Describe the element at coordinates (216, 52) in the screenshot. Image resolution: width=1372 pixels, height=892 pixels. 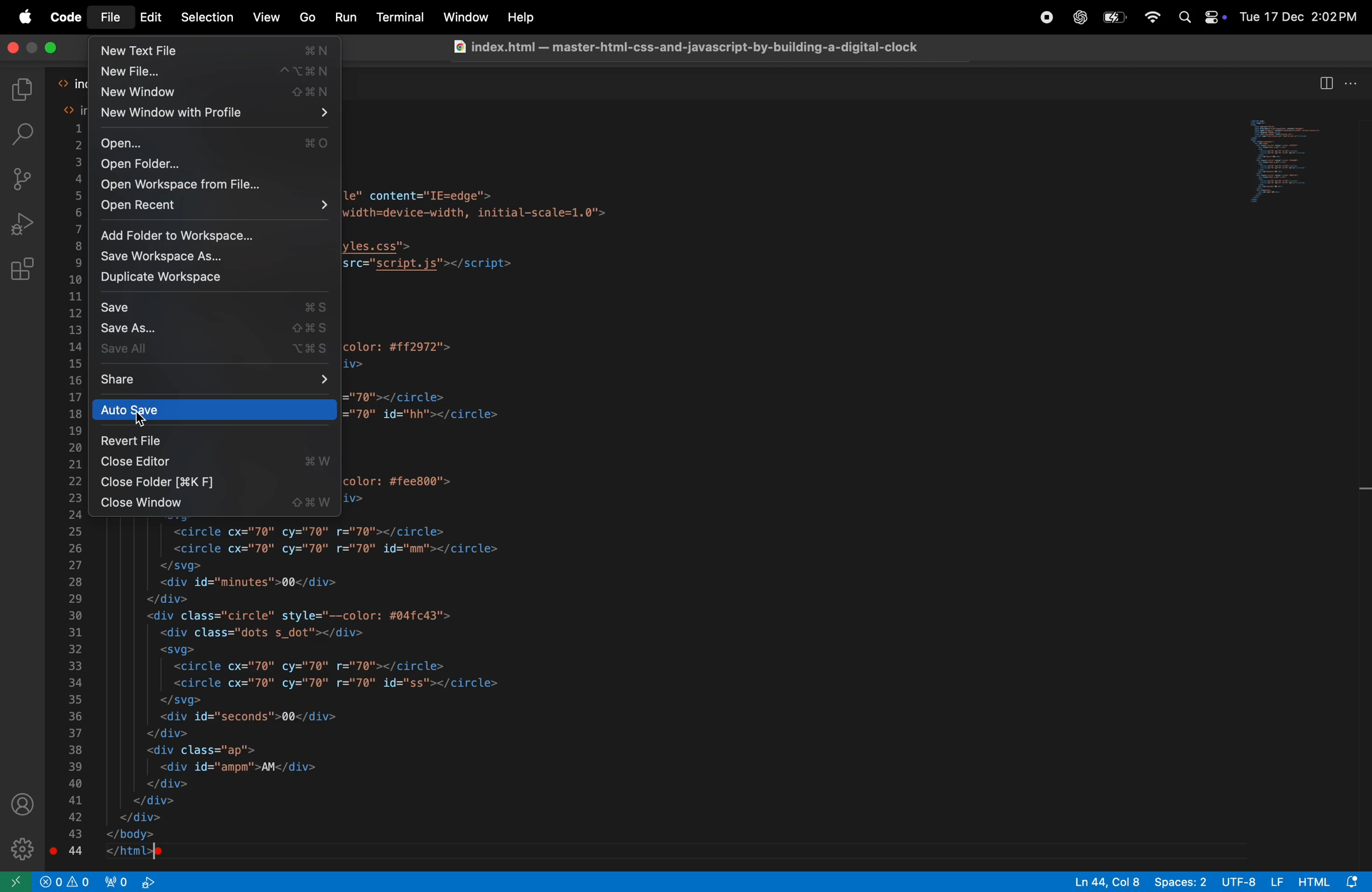
I see `new text file` at that location.